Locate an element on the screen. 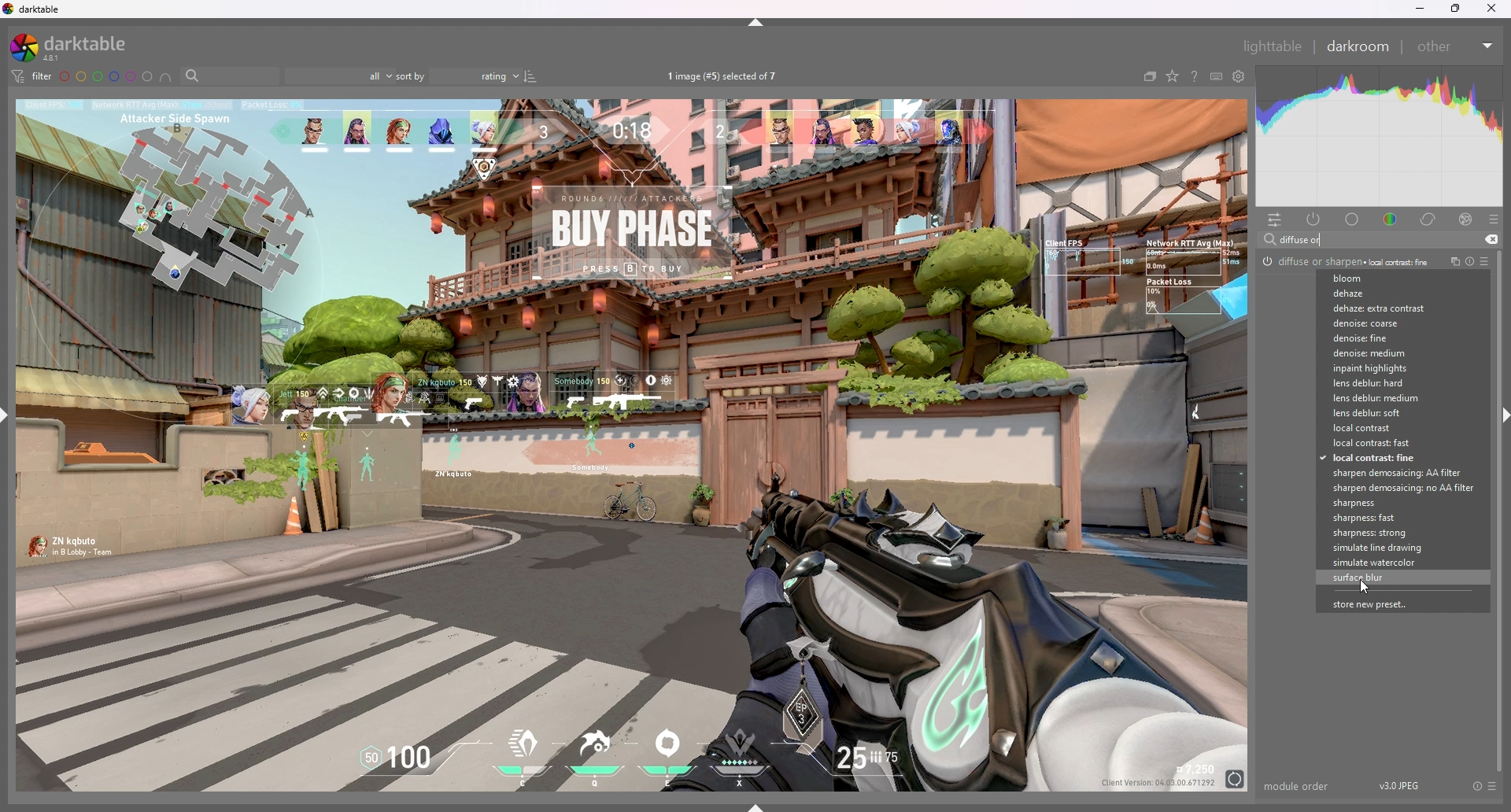 This screenshot has width=1511, height=812. other is located at coordinates (1455, 45).